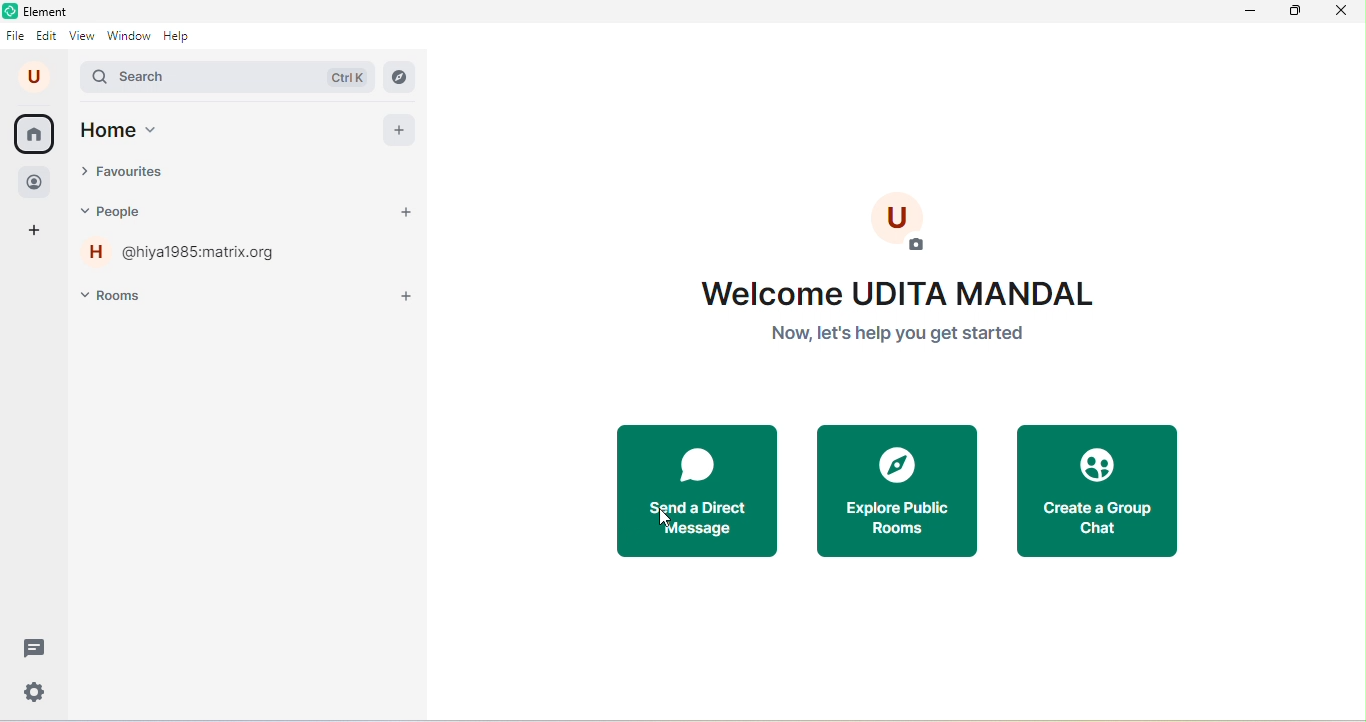  Describe the element at coordinates (400, 77) in the screenshot. I see `explore rooms` at that location.